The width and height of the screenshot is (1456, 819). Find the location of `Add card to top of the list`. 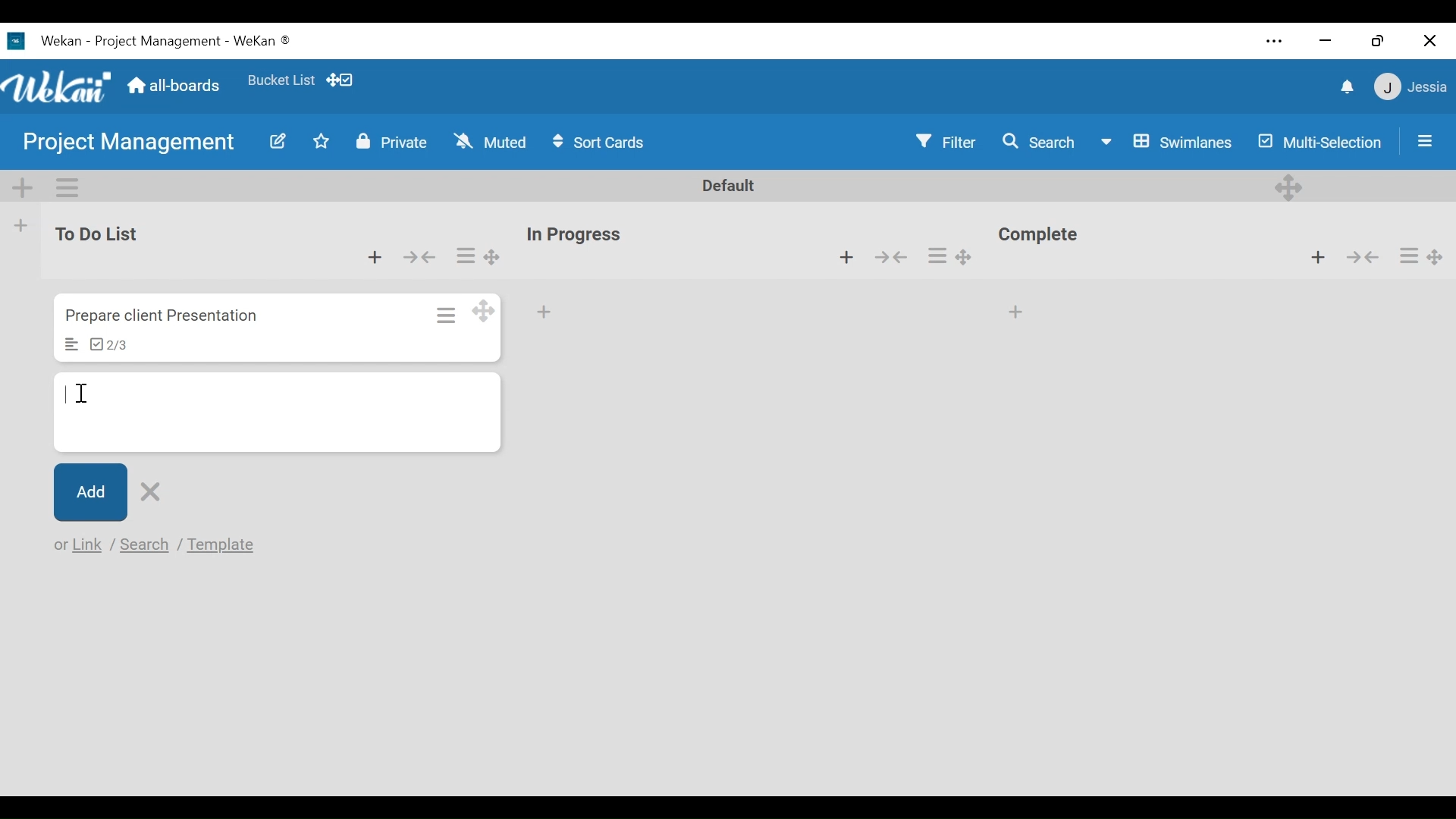

Add card to top of the list is located at coordinates (372, 255).